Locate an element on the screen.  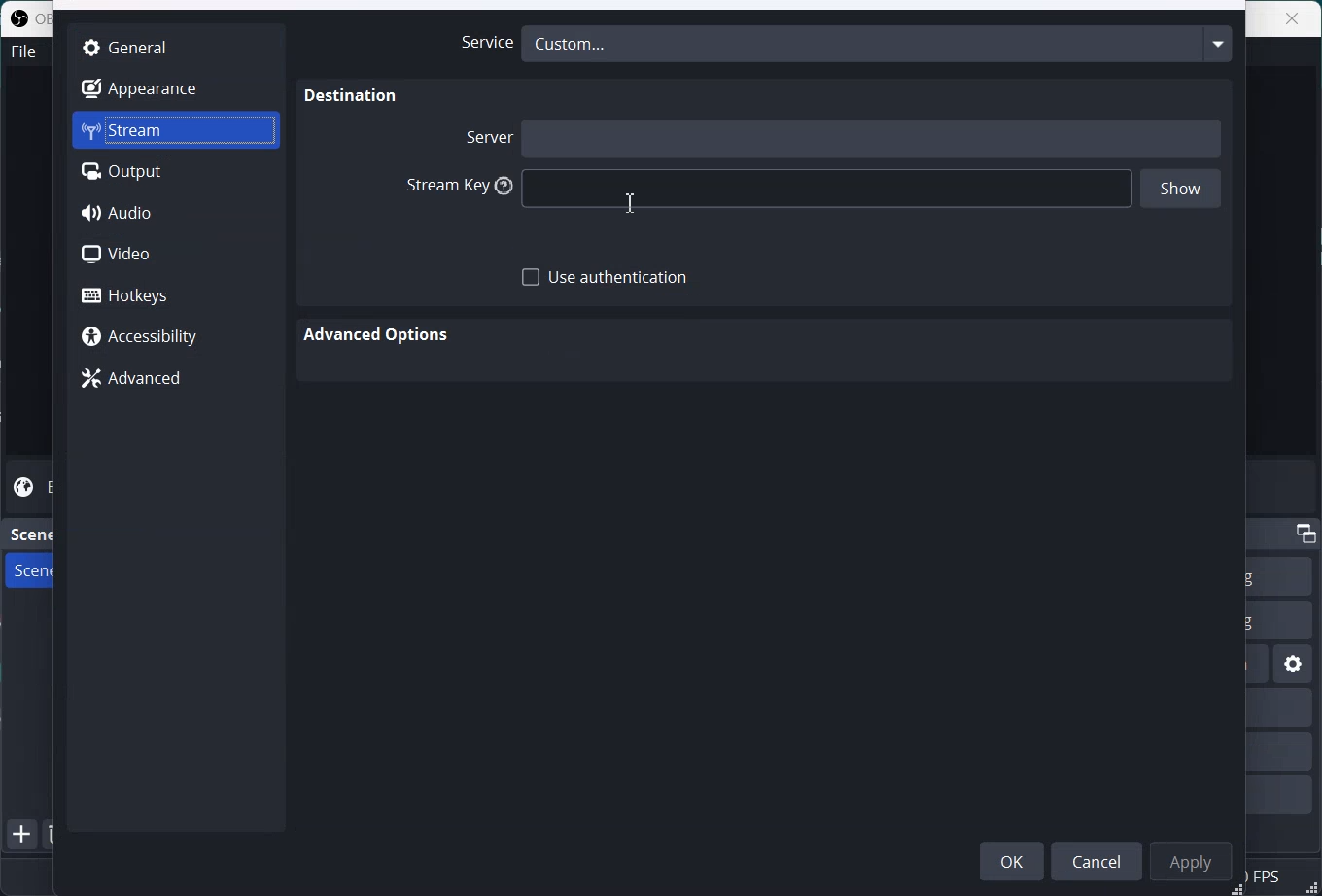
cursor is located at coordinates (631, 200).